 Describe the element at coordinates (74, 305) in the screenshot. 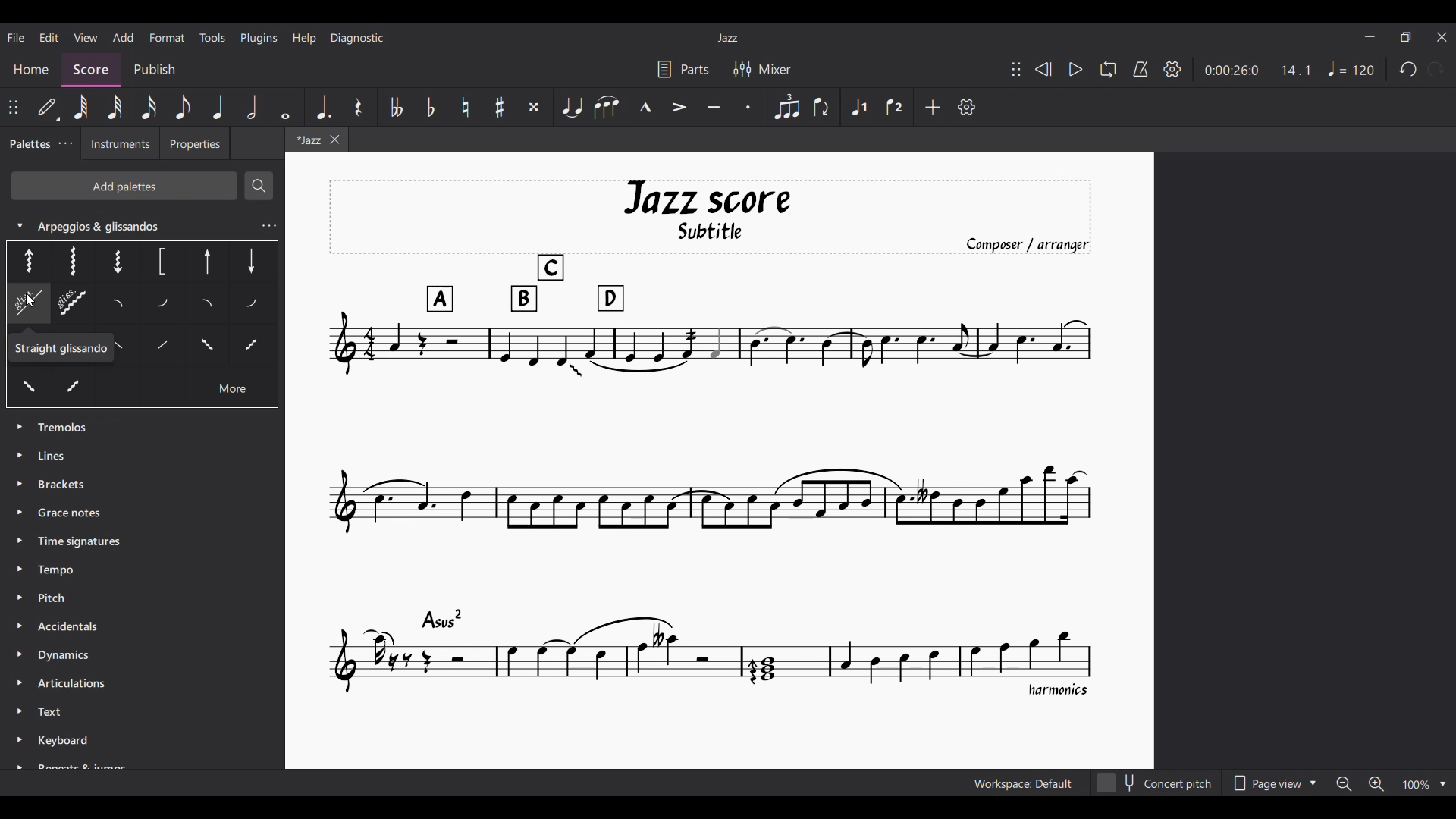

I see `Palate 8` at that location.